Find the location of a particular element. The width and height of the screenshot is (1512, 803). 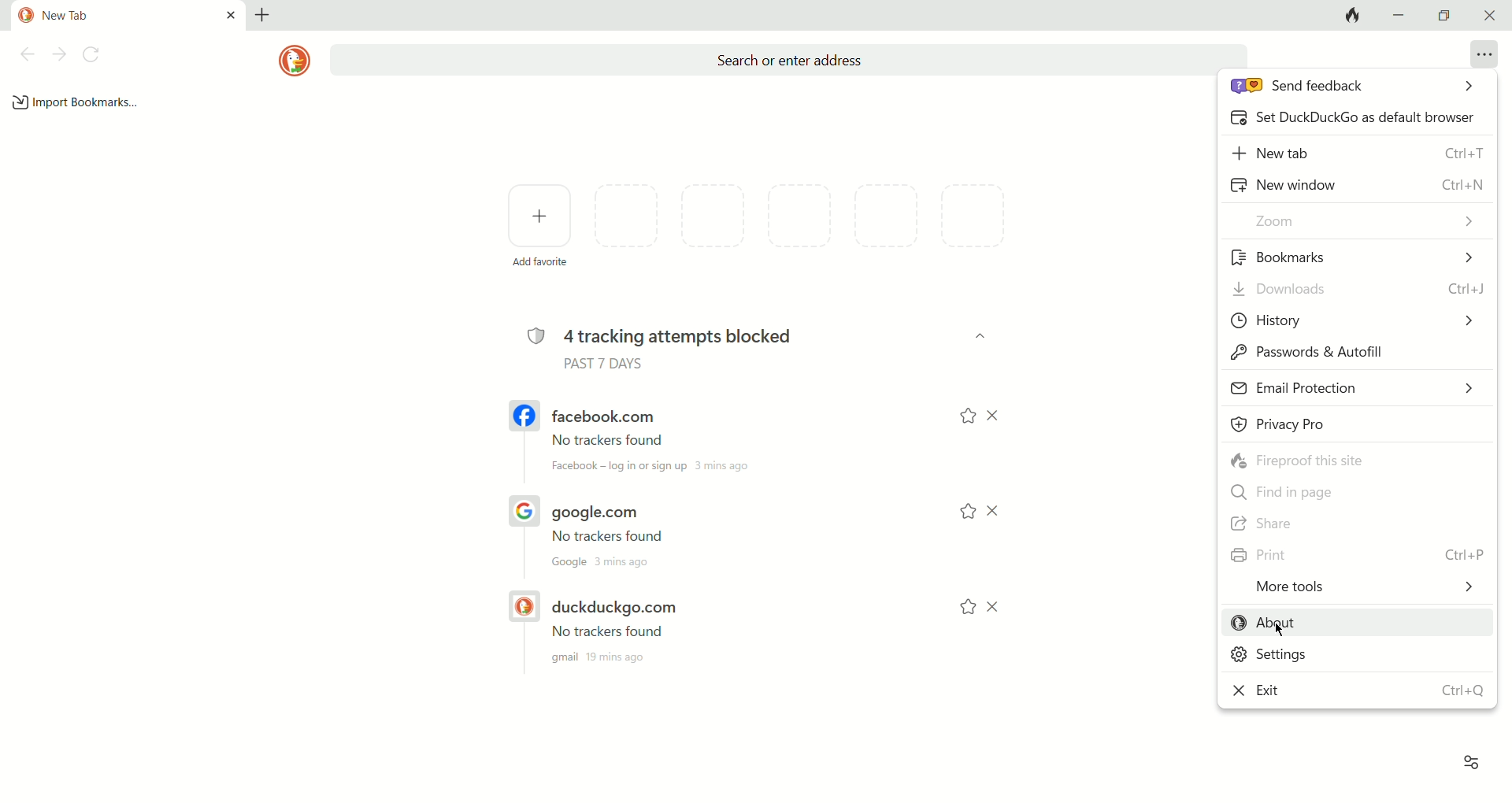

zoom is located at coordinates (1357, 223).